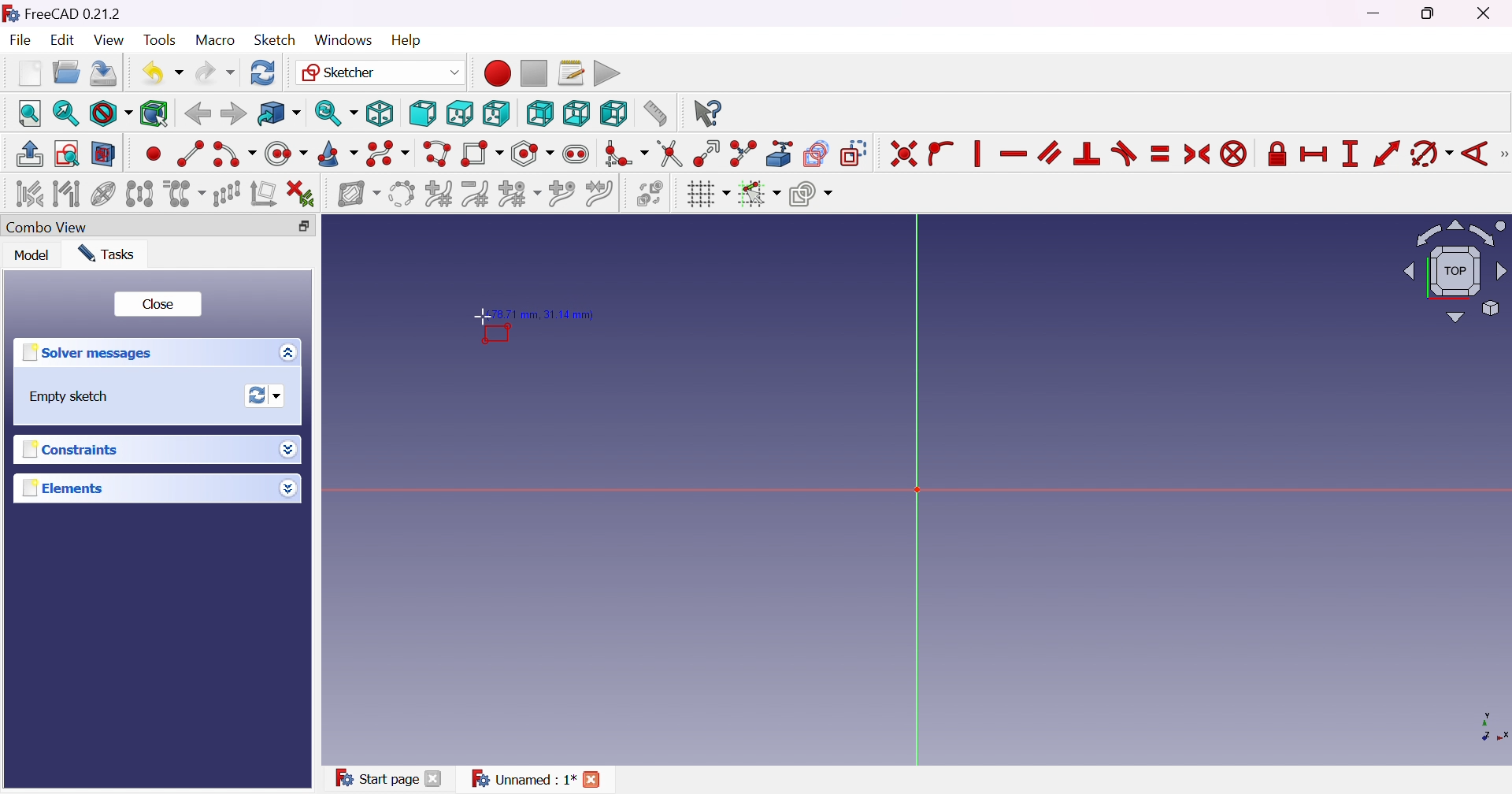  Describe the element at coordinates (275, 39) in the screenshot. I see `Sketch` at that location.